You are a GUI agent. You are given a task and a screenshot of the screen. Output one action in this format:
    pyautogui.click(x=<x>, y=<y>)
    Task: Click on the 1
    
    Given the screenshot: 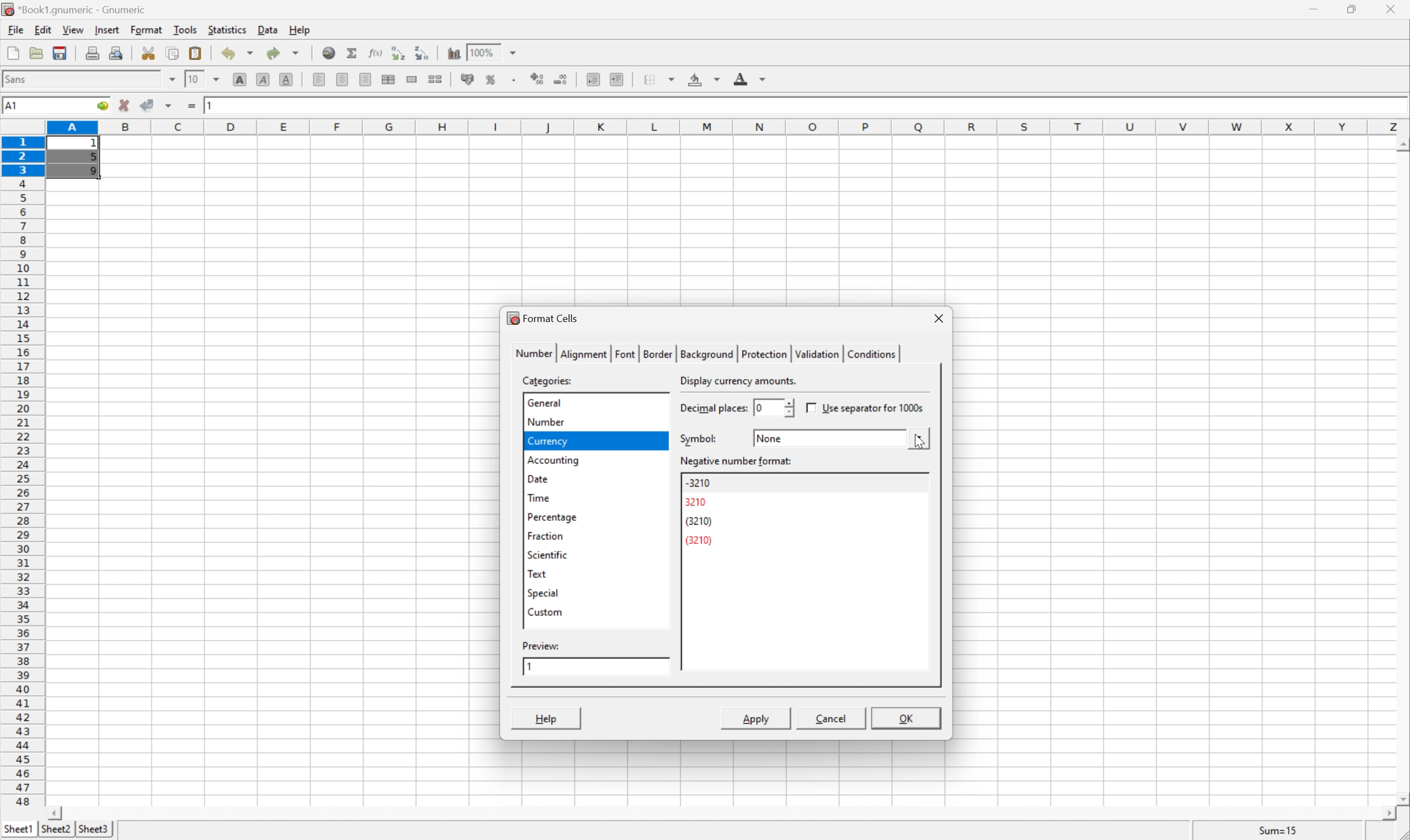 What is the action you would take?
    pyautogui.click(x=96, y=144)
    